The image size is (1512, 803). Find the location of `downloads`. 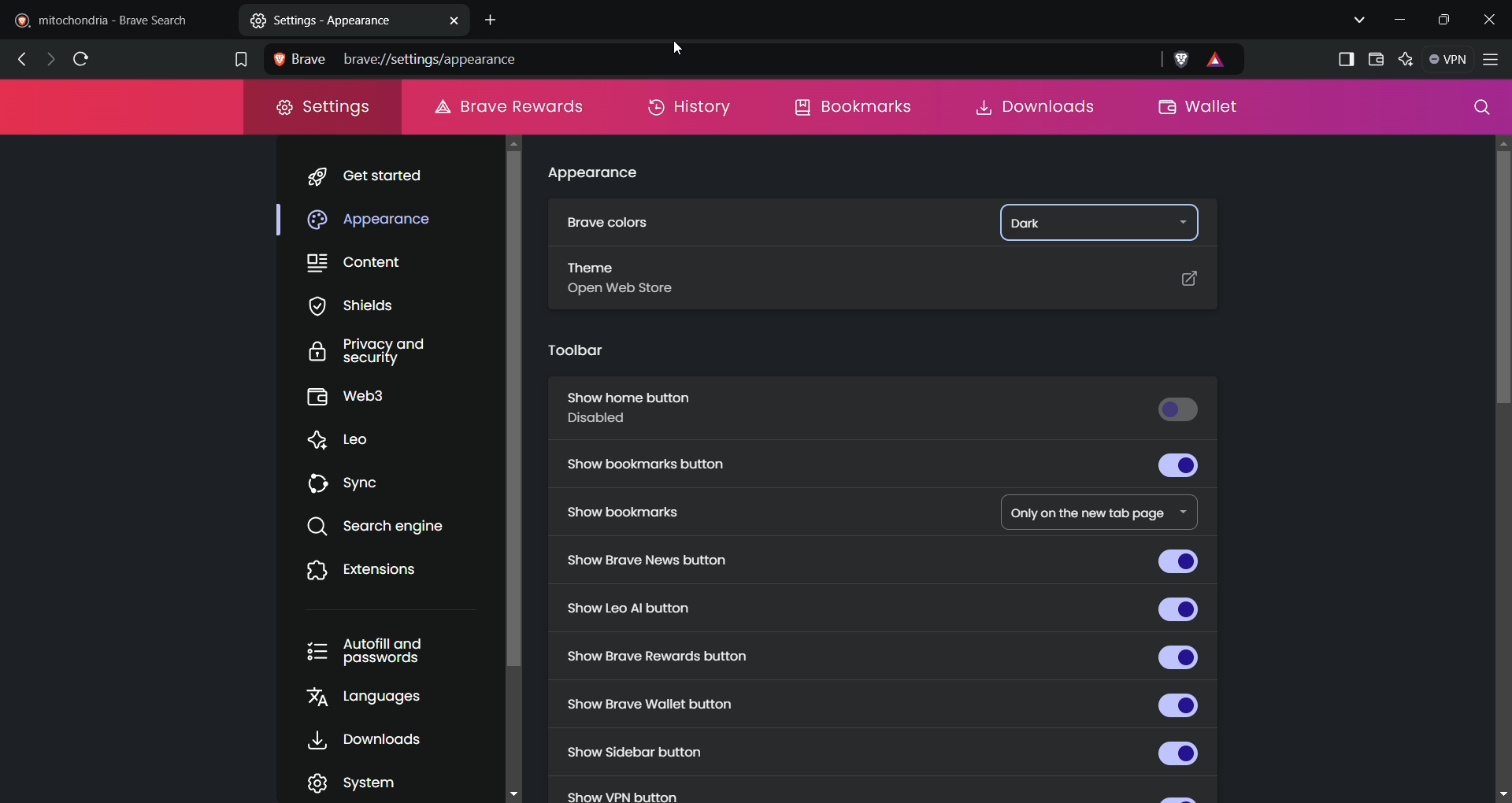

downloads is located at coordinates (1040, 105).